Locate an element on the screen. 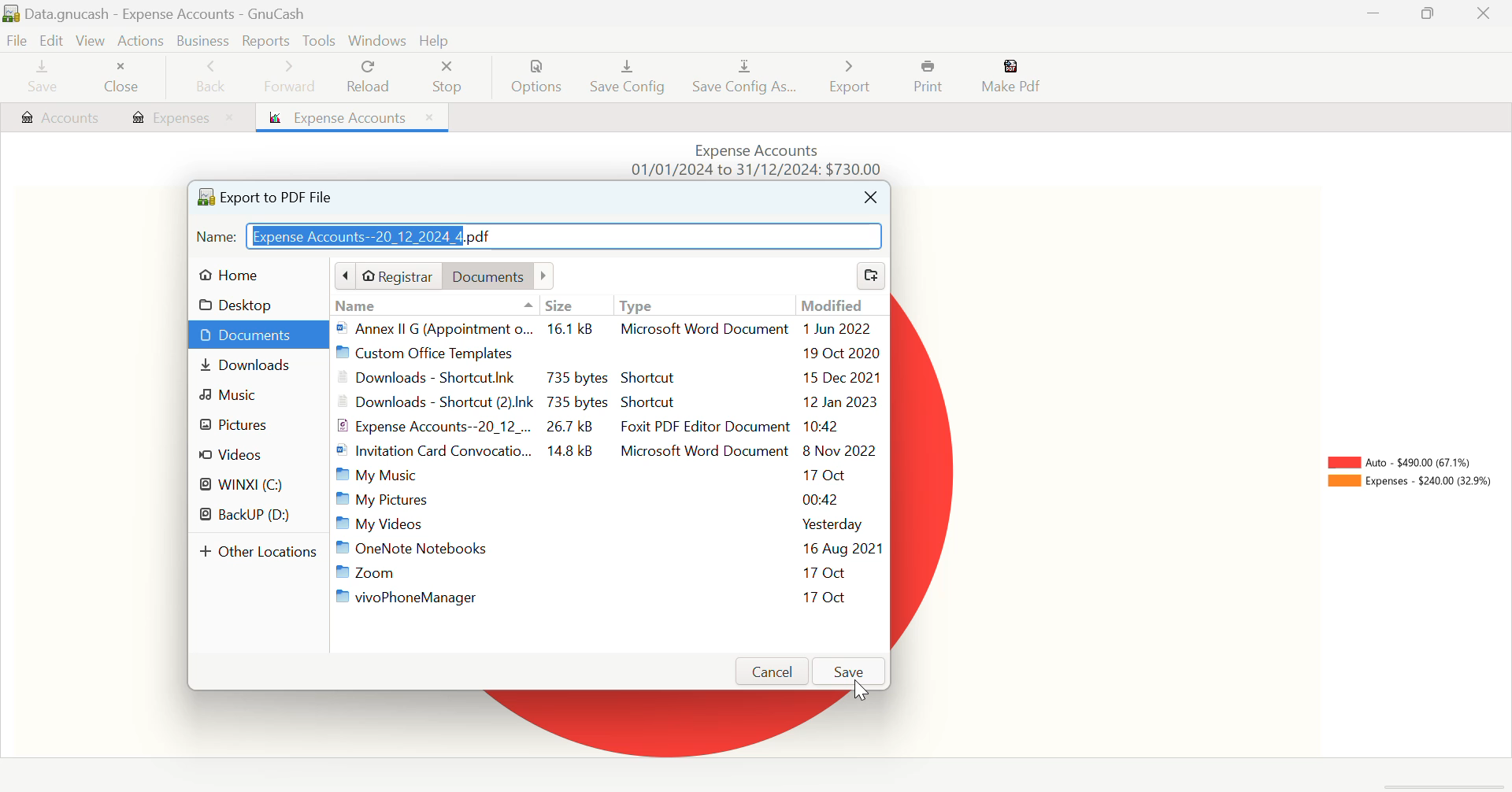  Save Config is located at coordinates (628, 79).